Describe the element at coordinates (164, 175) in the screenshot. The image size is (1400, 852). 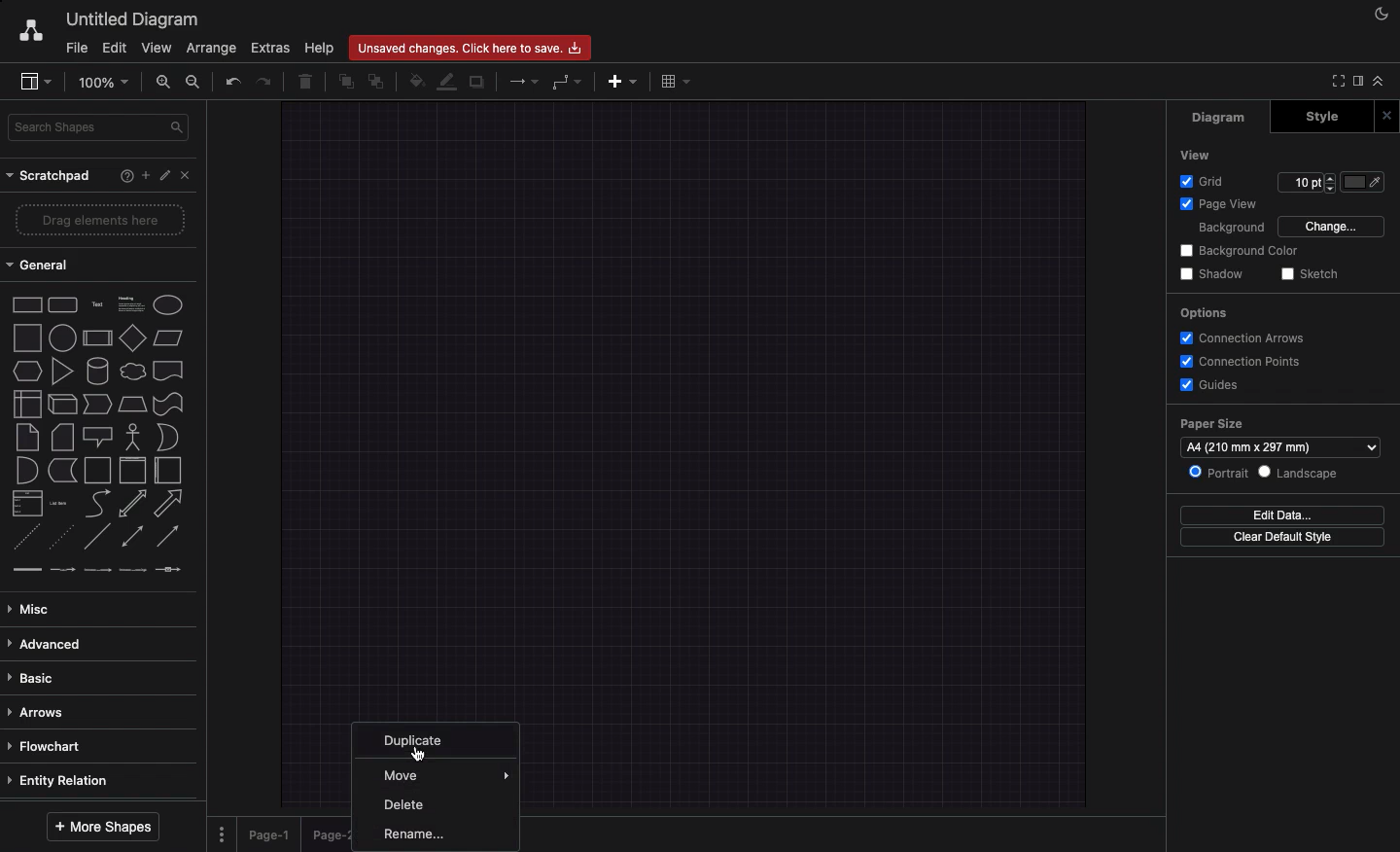
I see `Edit` at that location.